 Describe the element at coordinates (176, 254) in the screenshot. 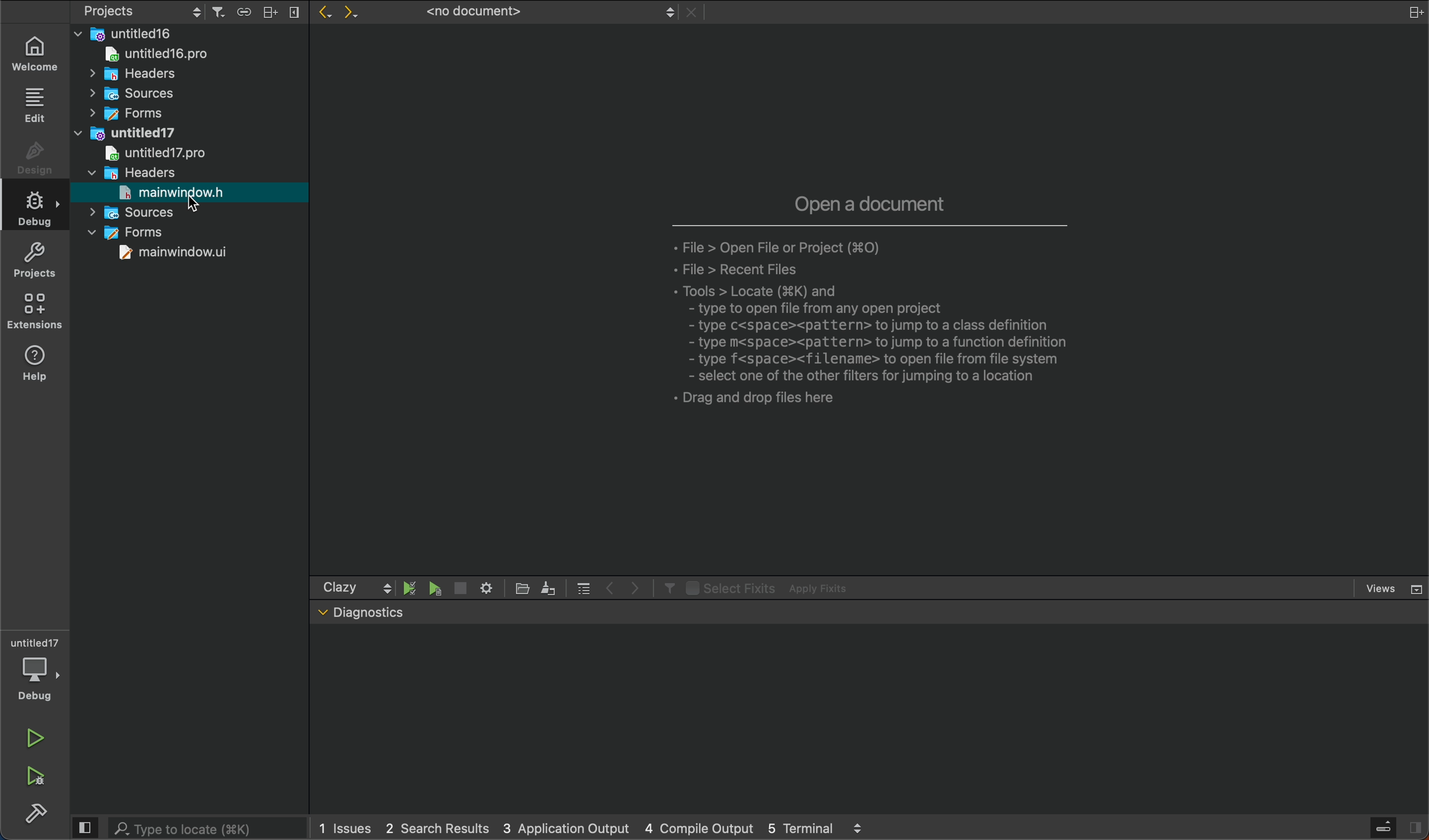

I see `mainwindow.ui` at that location.